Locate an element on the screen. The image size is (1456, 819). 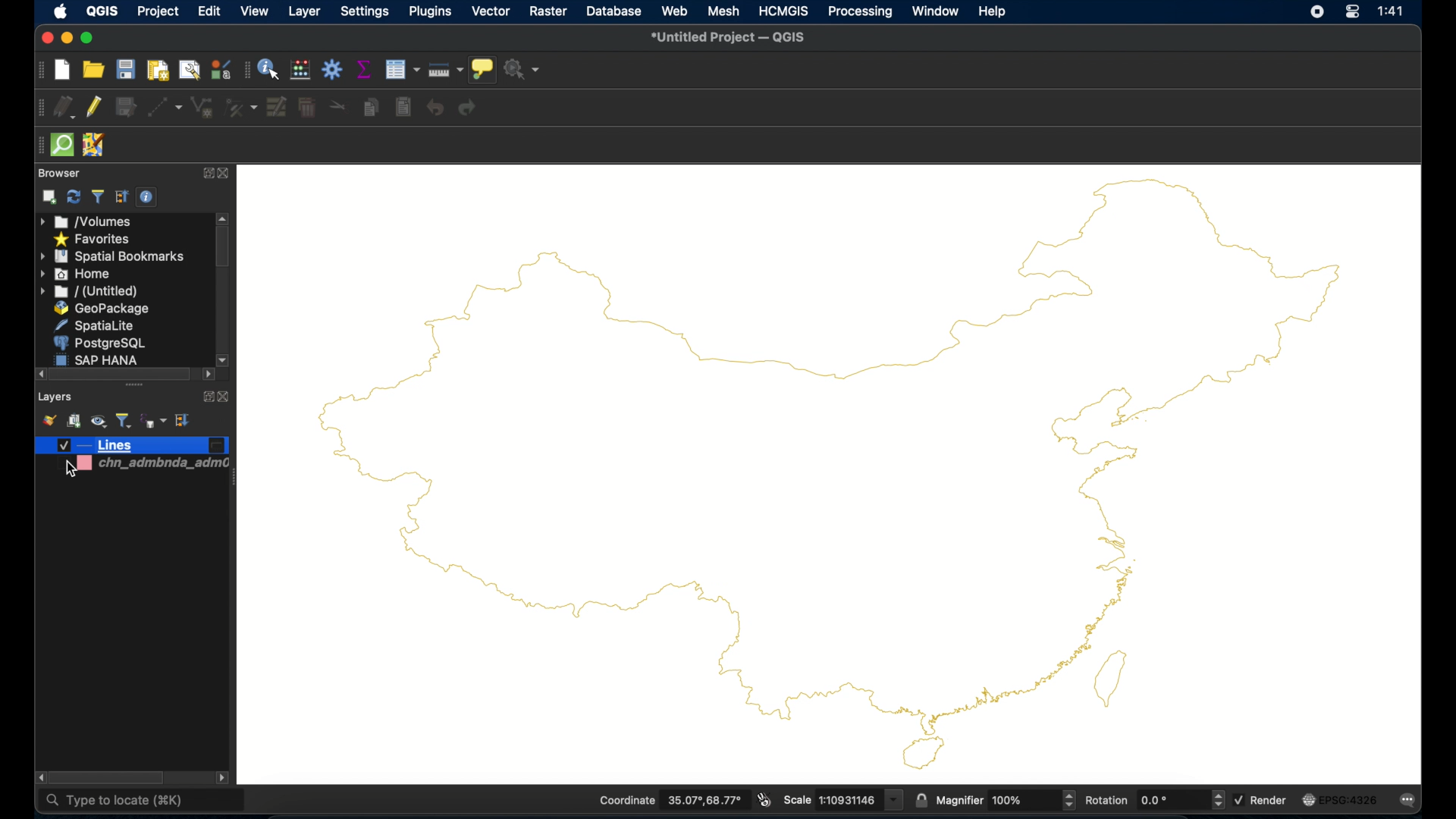
add selected layers is located at coordinates (50, 197).